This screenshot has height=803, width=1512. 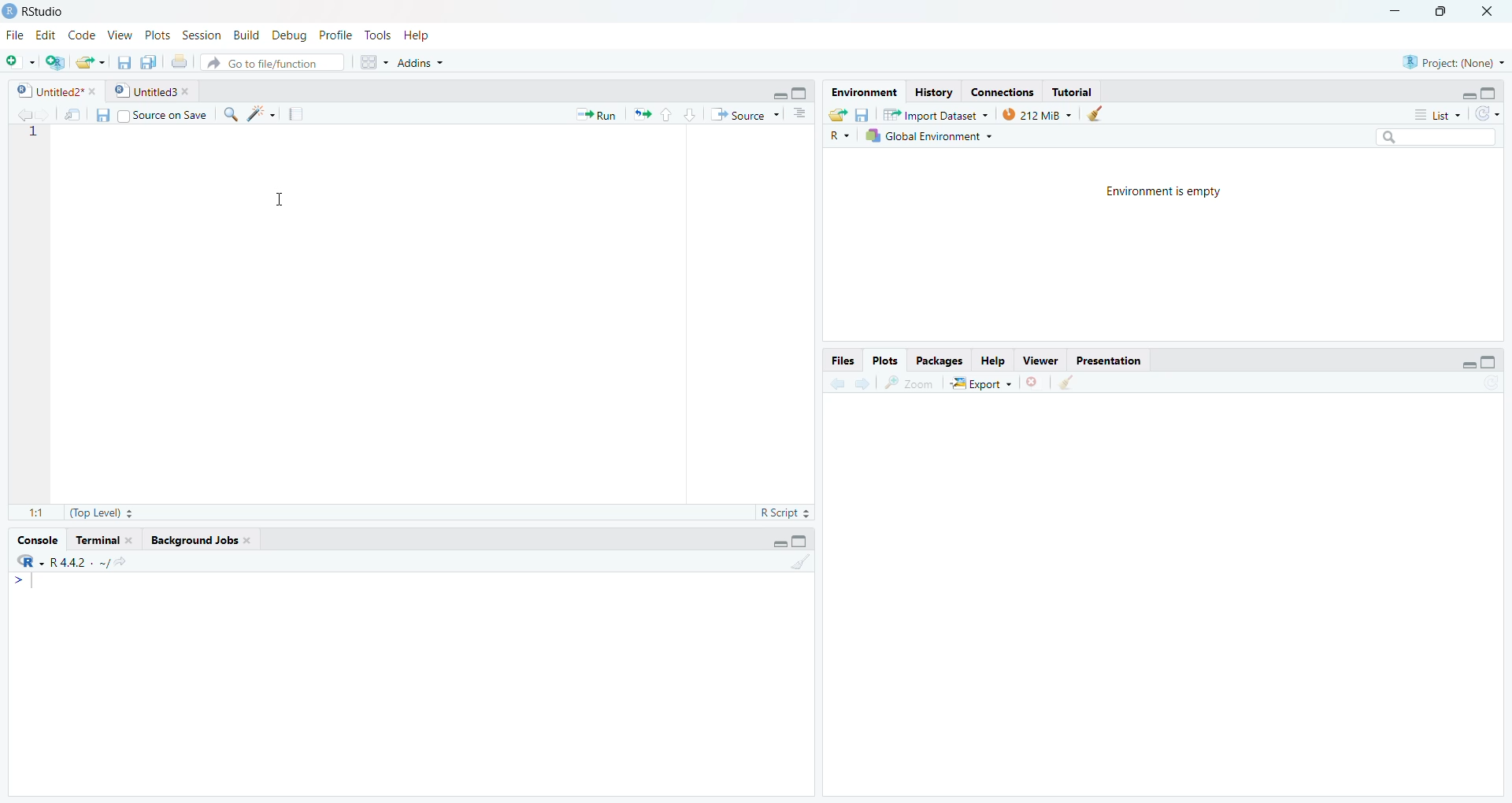 I want to click on zoom, so click(x=910, y=382).